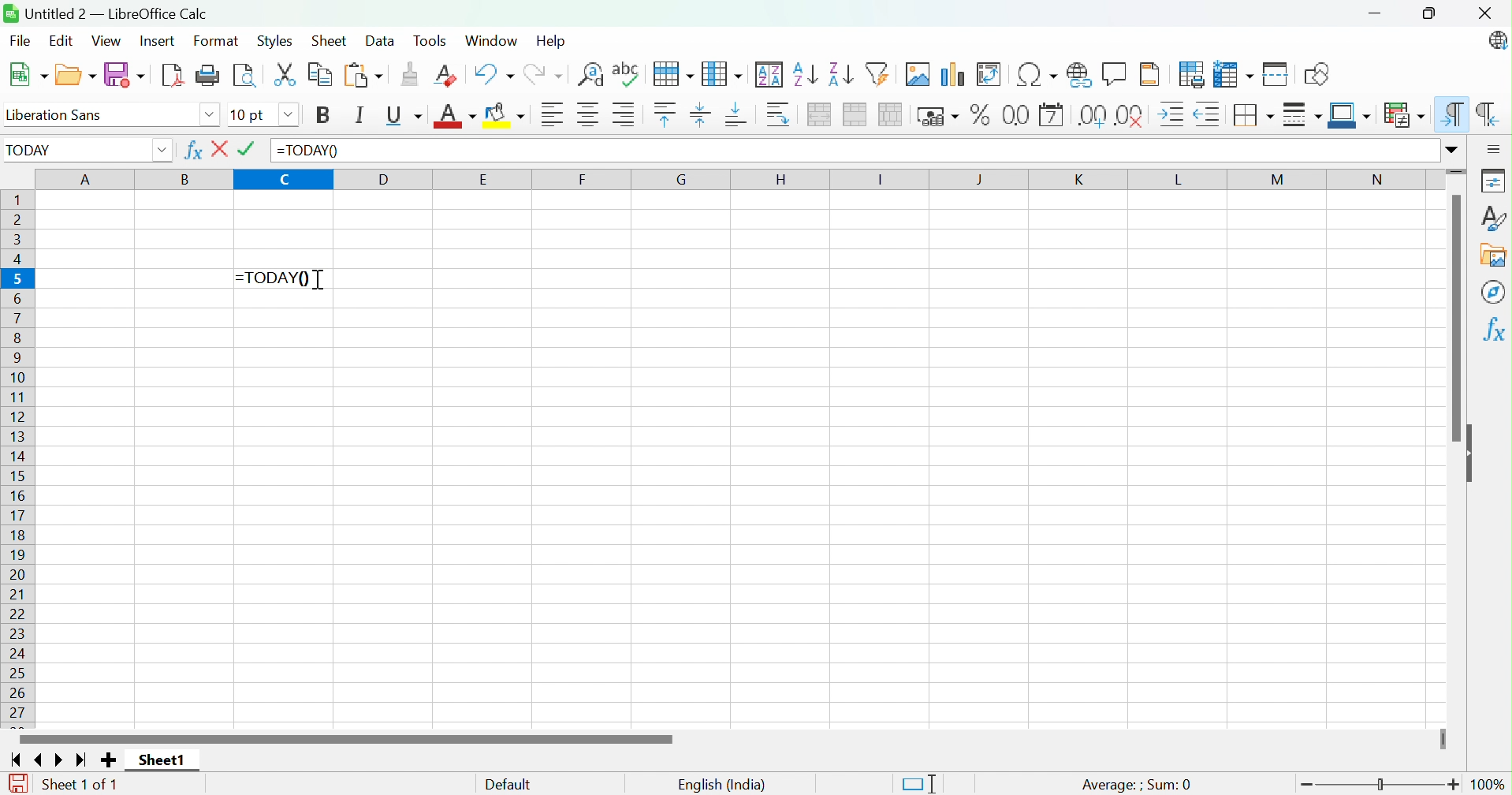  What do you see at coordinates (494, 73) in the screenshot?
I see `Undo` at bounding box center [494, 73].